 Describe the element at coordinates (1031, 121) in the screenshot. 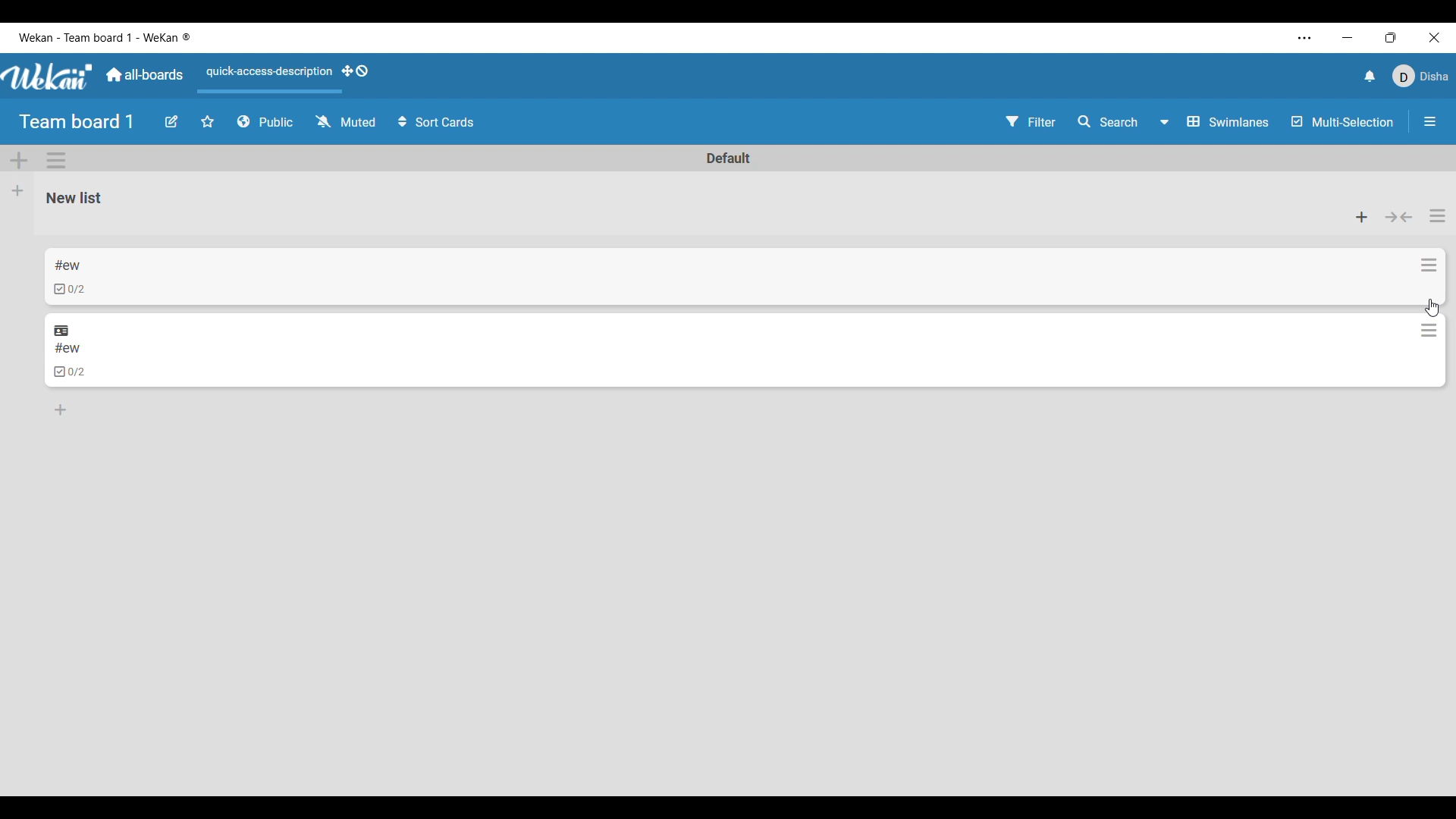

I see `Filter` at that location.